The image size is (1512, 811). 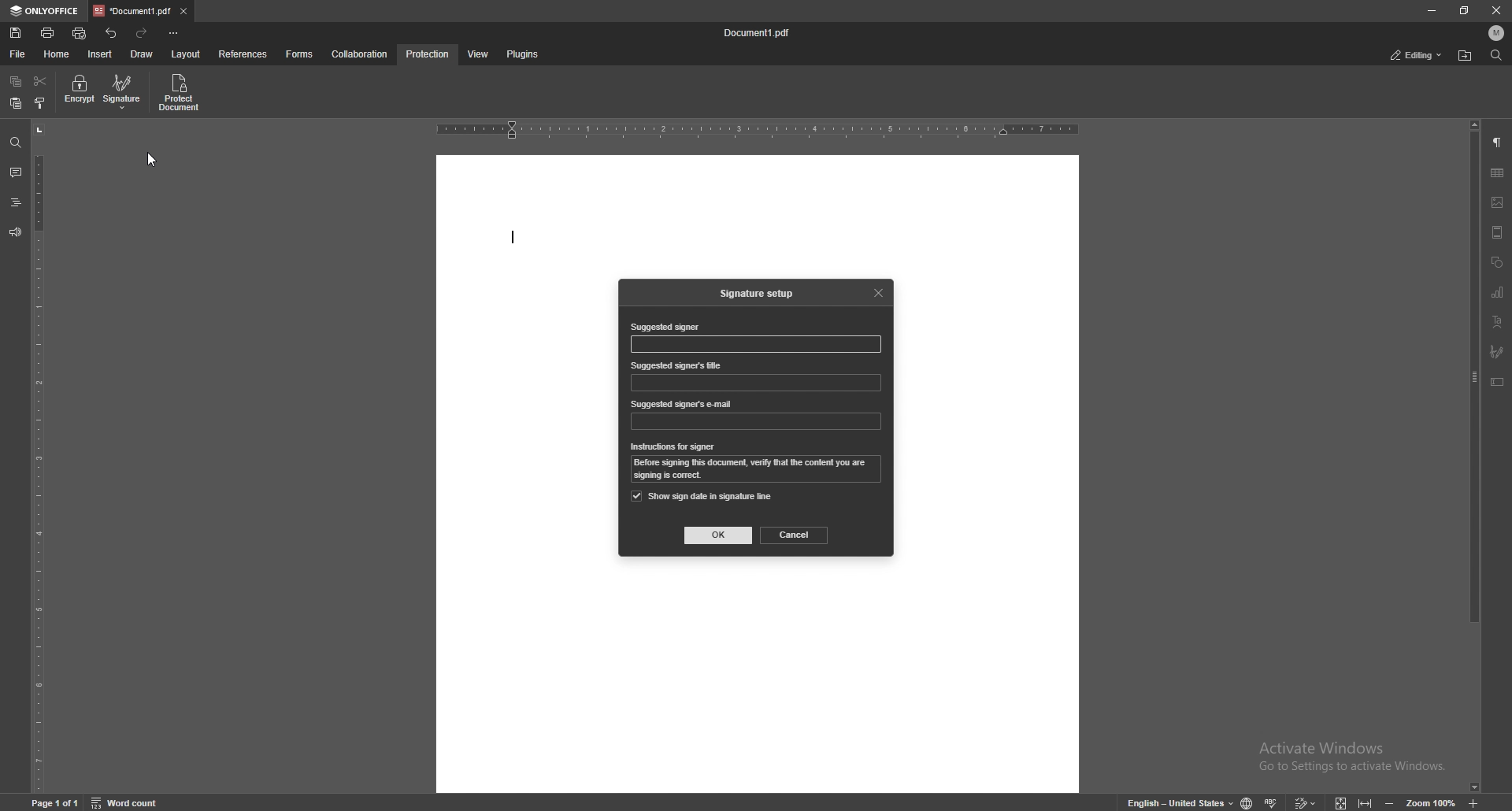 I want to click on file name, so click(x=758, y=33).